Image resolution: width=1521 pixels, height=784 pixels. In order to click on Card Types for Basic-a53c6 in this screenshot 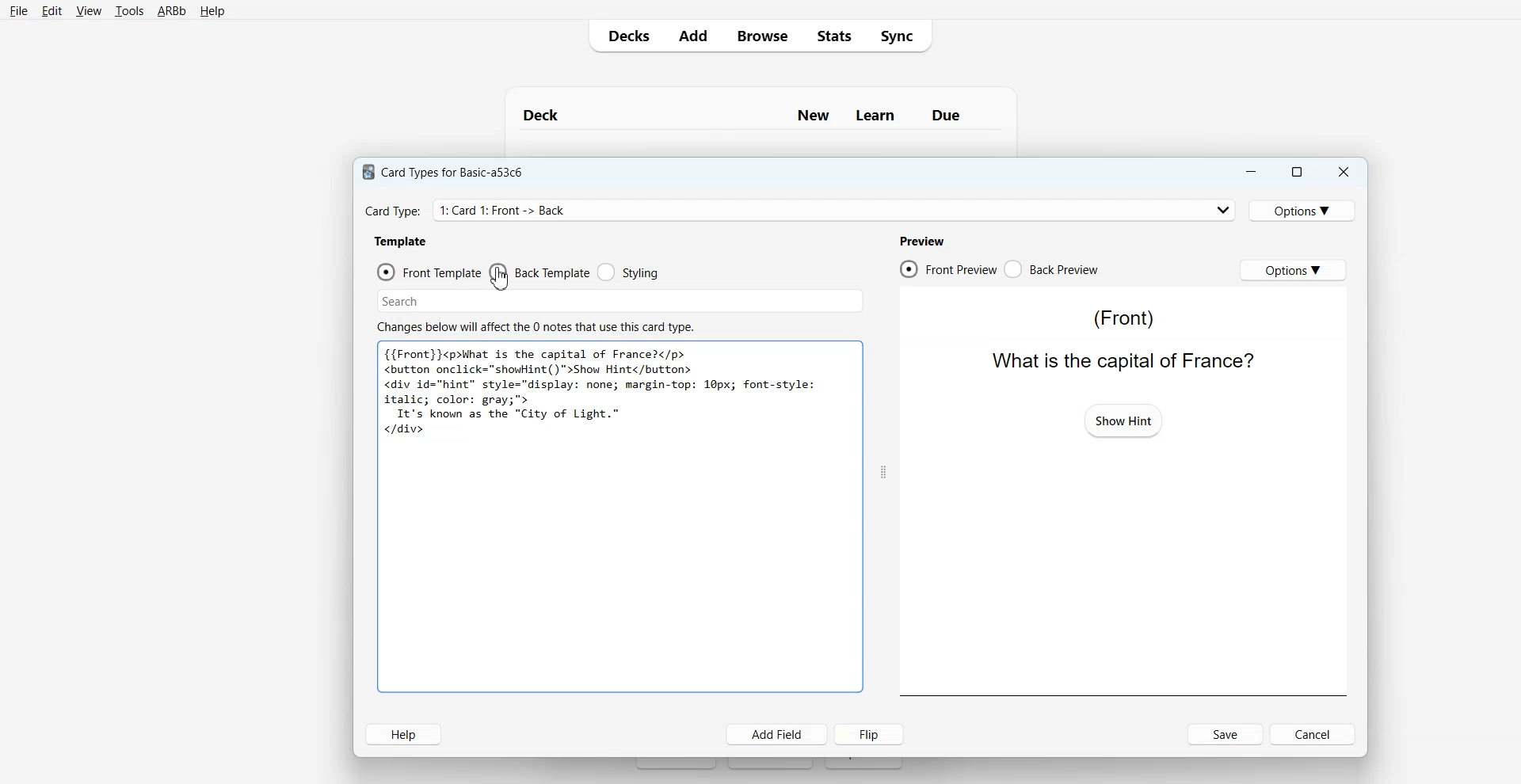, I will do `click(444, 171)`.